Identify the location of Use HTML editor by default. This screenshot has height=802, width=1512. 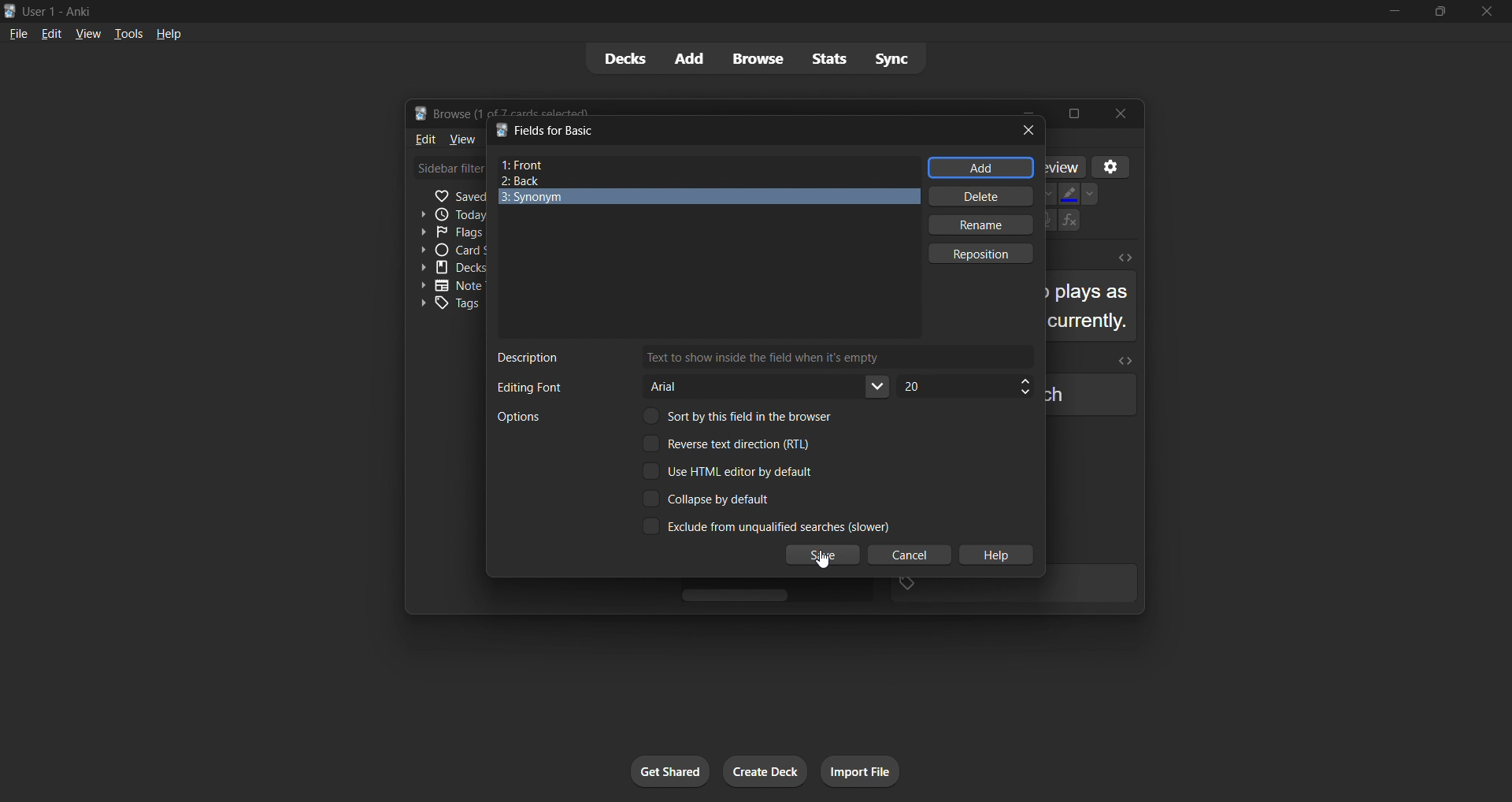
(738, 471).